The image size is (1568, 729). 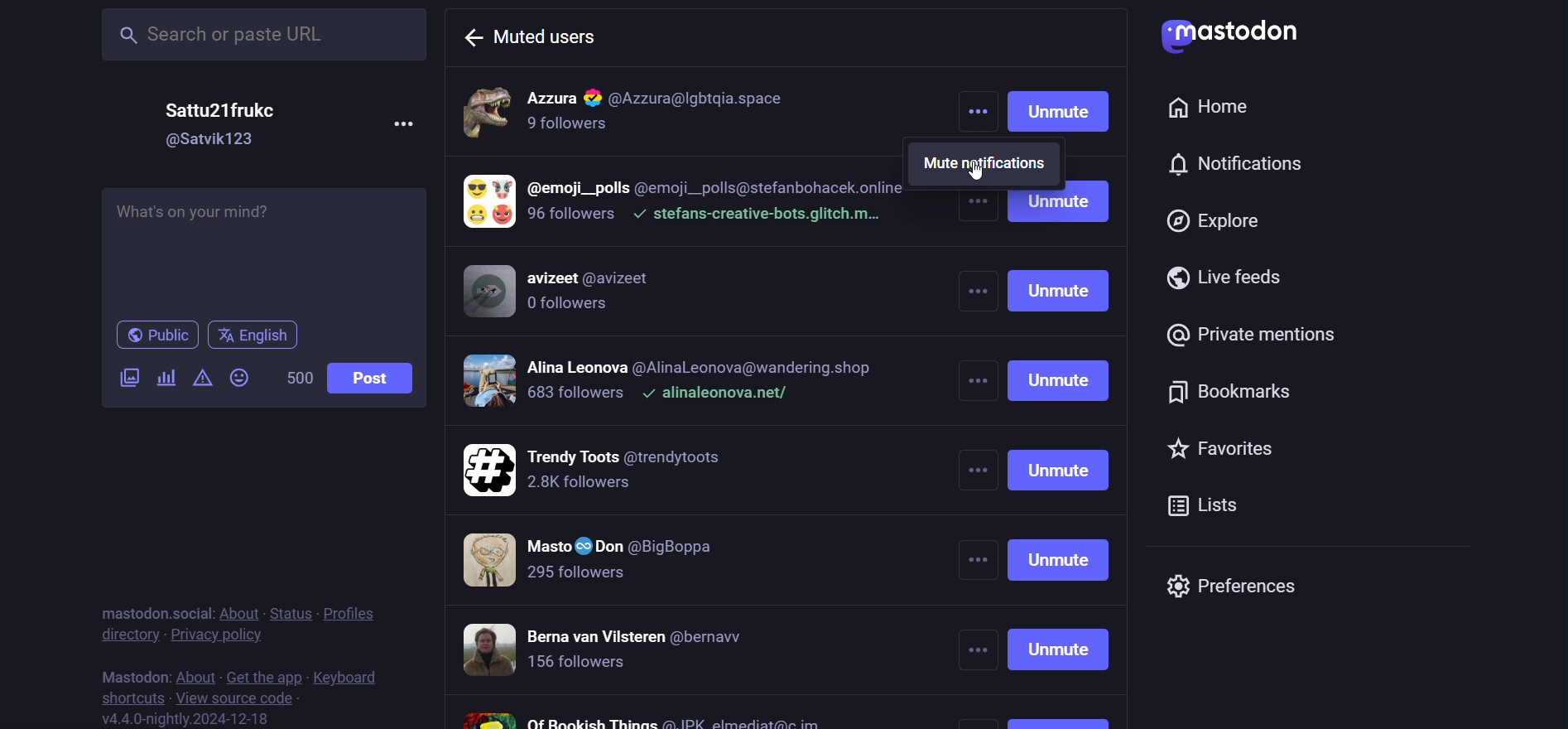 What do you see at coordinates (154, 335) in the screenshot?
I see `public` at bounding box center [154, 335].